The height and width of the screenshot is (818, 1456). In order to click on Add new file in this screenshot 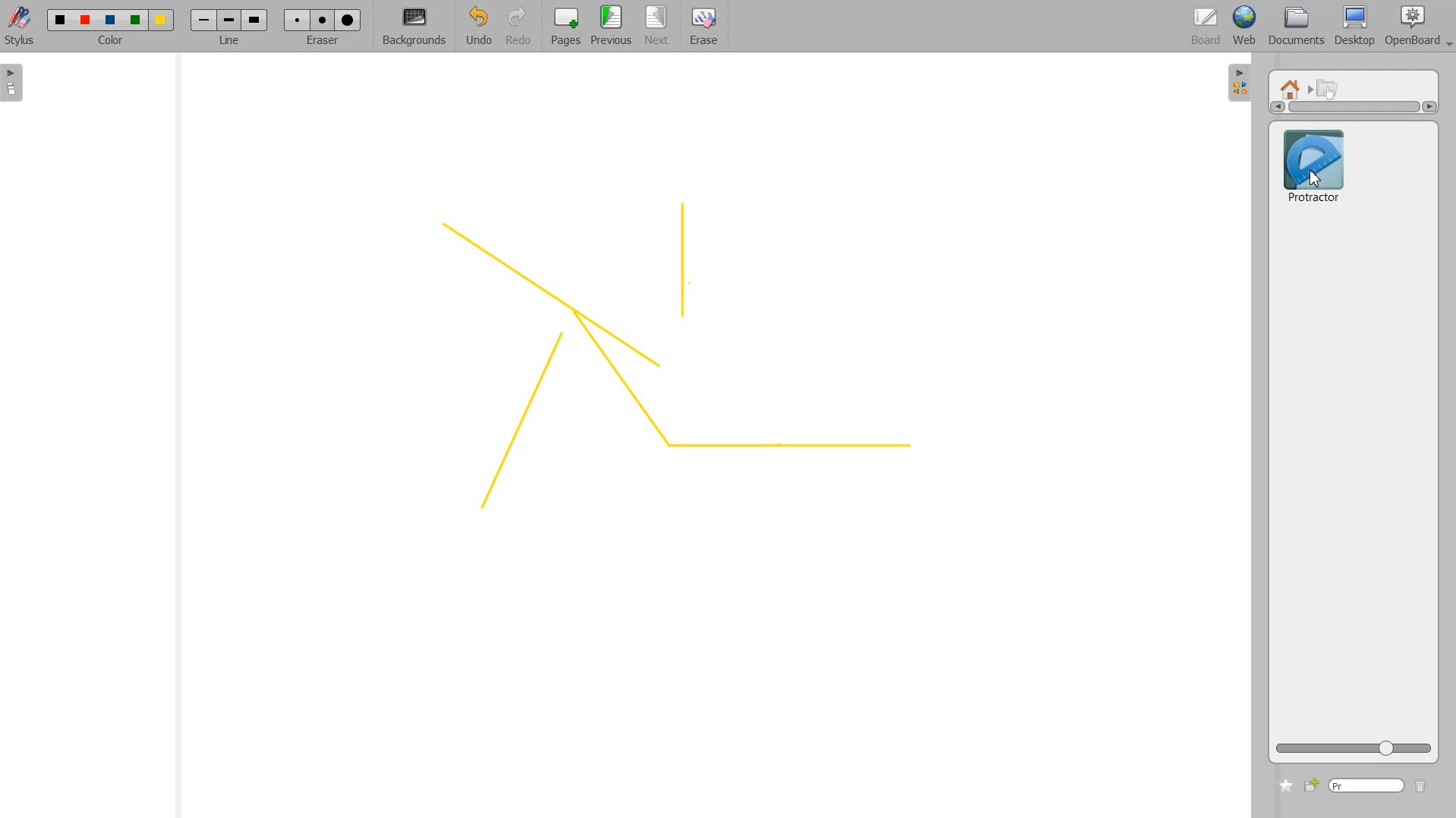, I will do `click(1310, 785)`.